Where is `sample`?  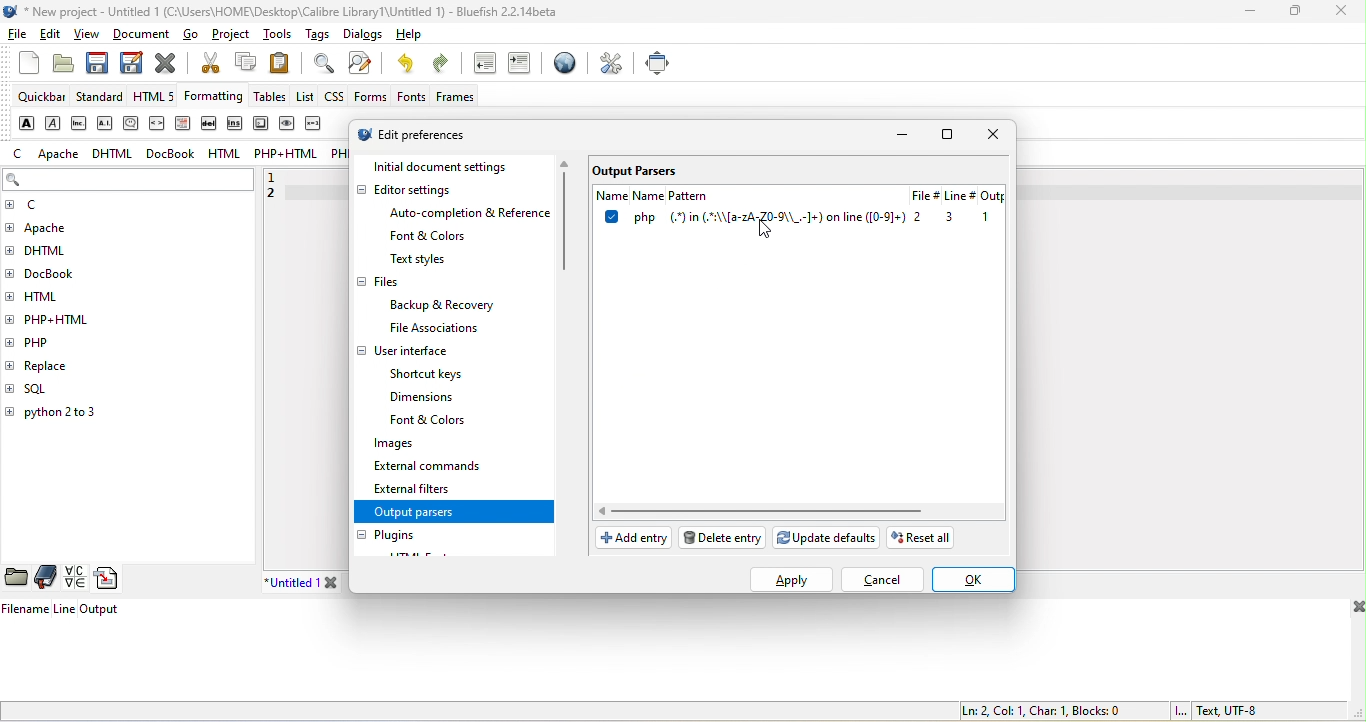
sample is located at coordinates (288, 126).